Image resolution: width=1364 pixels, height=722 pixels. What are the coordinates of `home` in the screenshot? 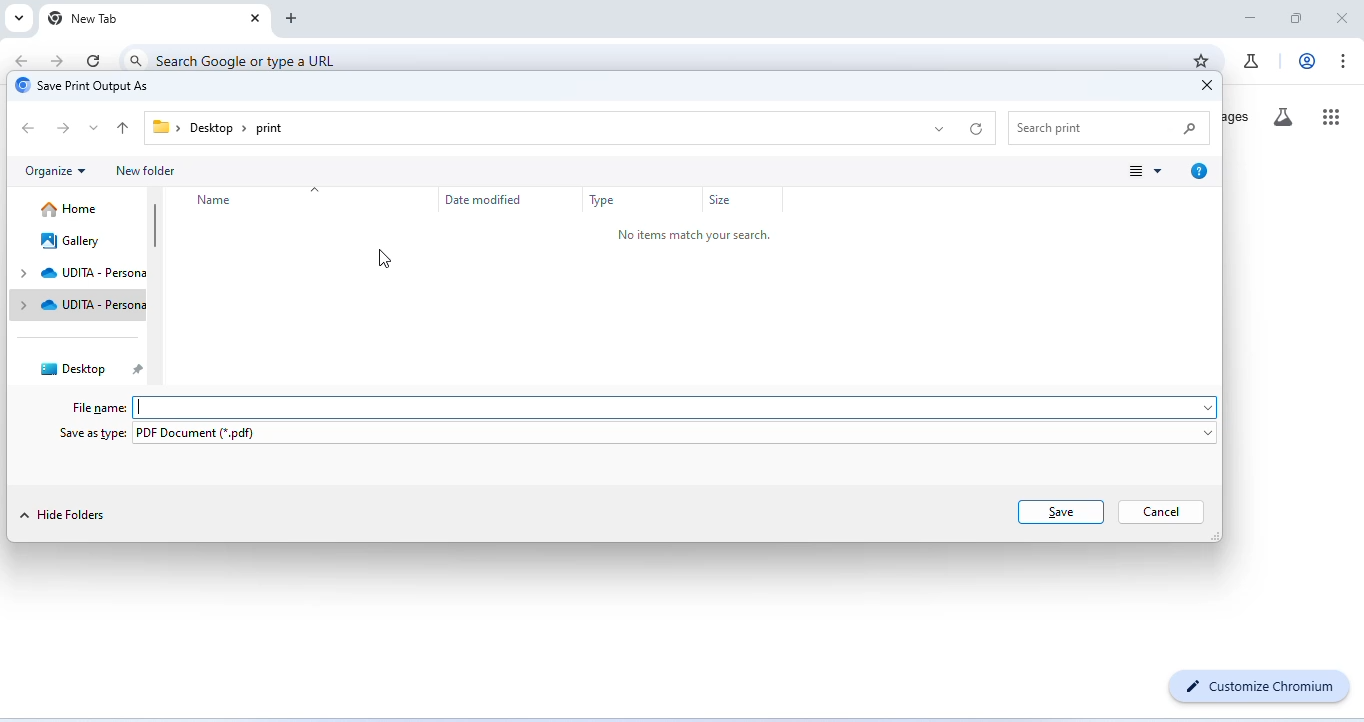 It's located at (73, 209).